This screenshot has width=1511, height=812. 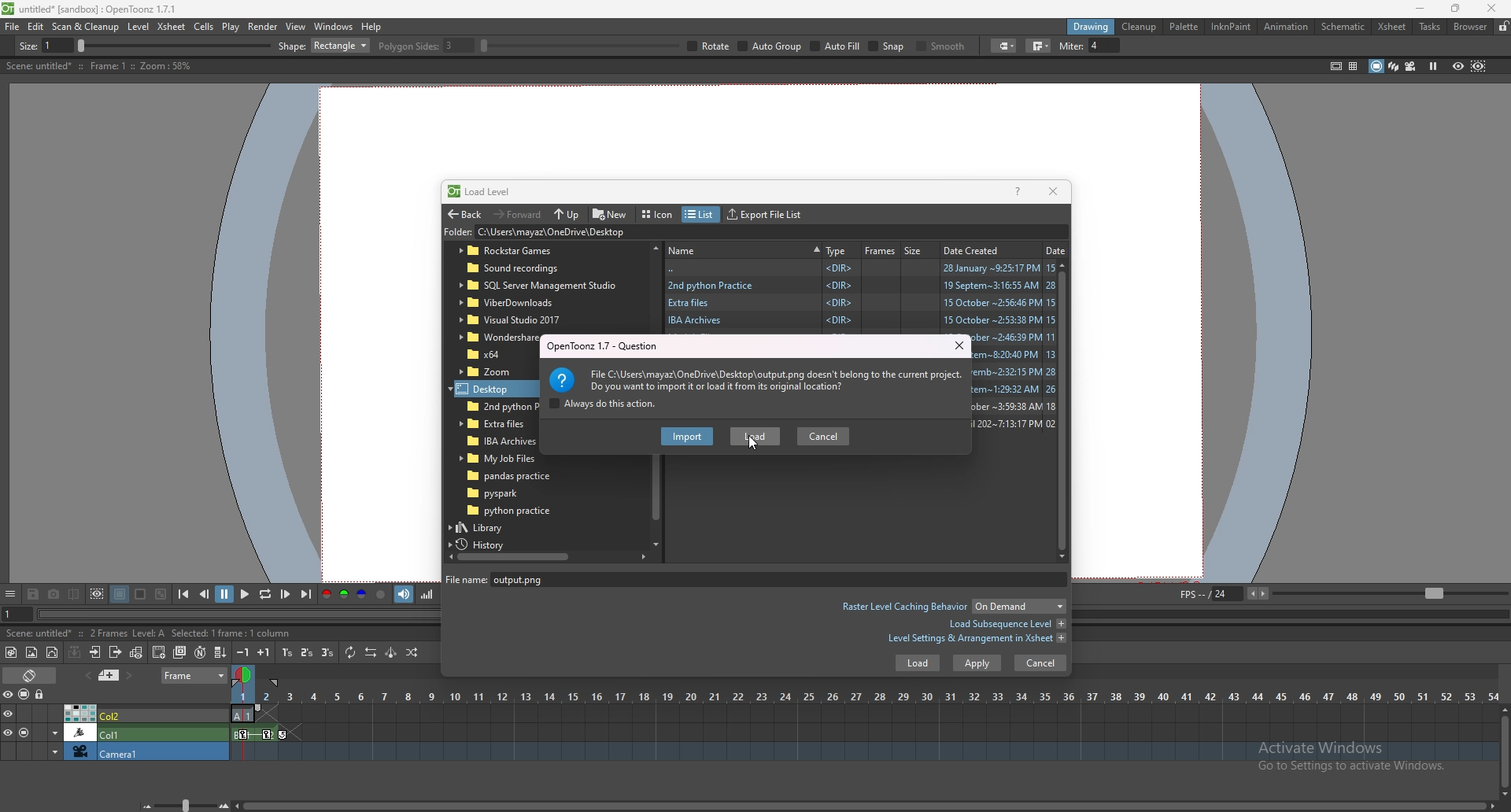 I want to click on miter, so click(x=1364, y=46).